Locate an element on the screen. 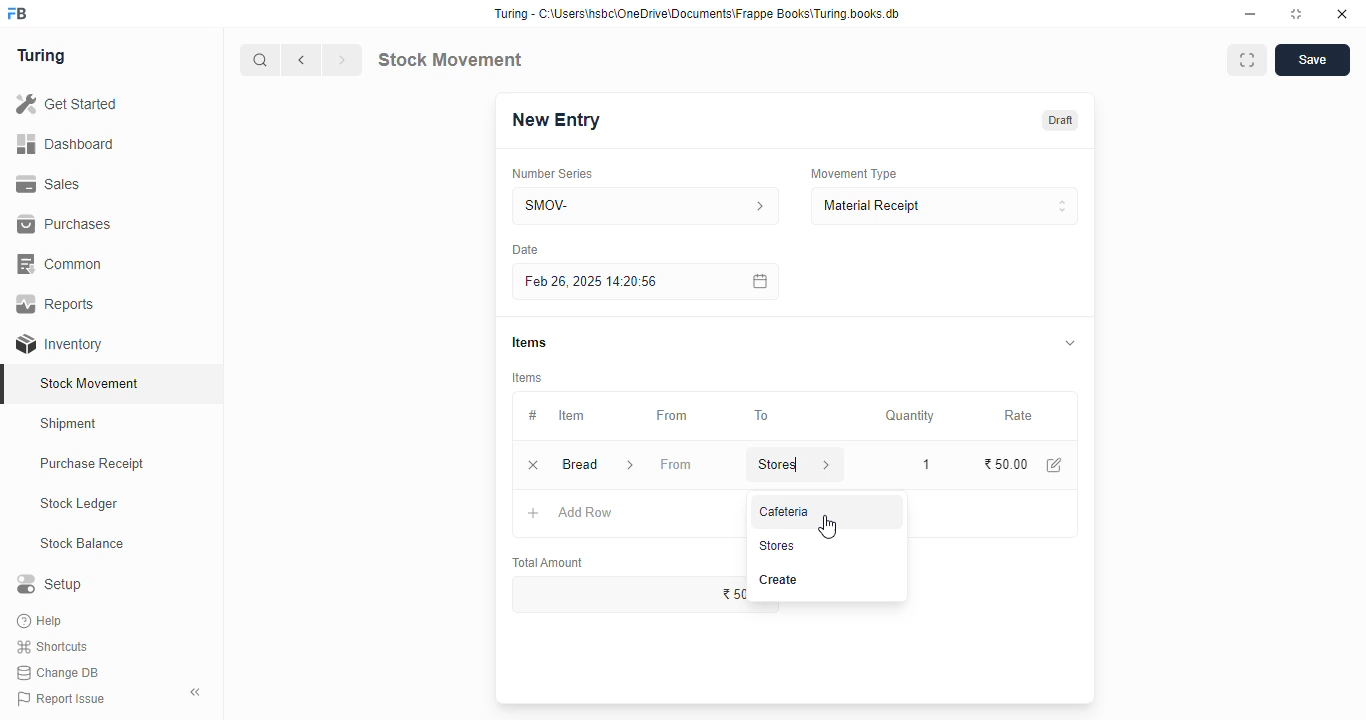 This screenshot has height=720, width=1366. toggle between form and full width is located at coordinates (1247, 60).